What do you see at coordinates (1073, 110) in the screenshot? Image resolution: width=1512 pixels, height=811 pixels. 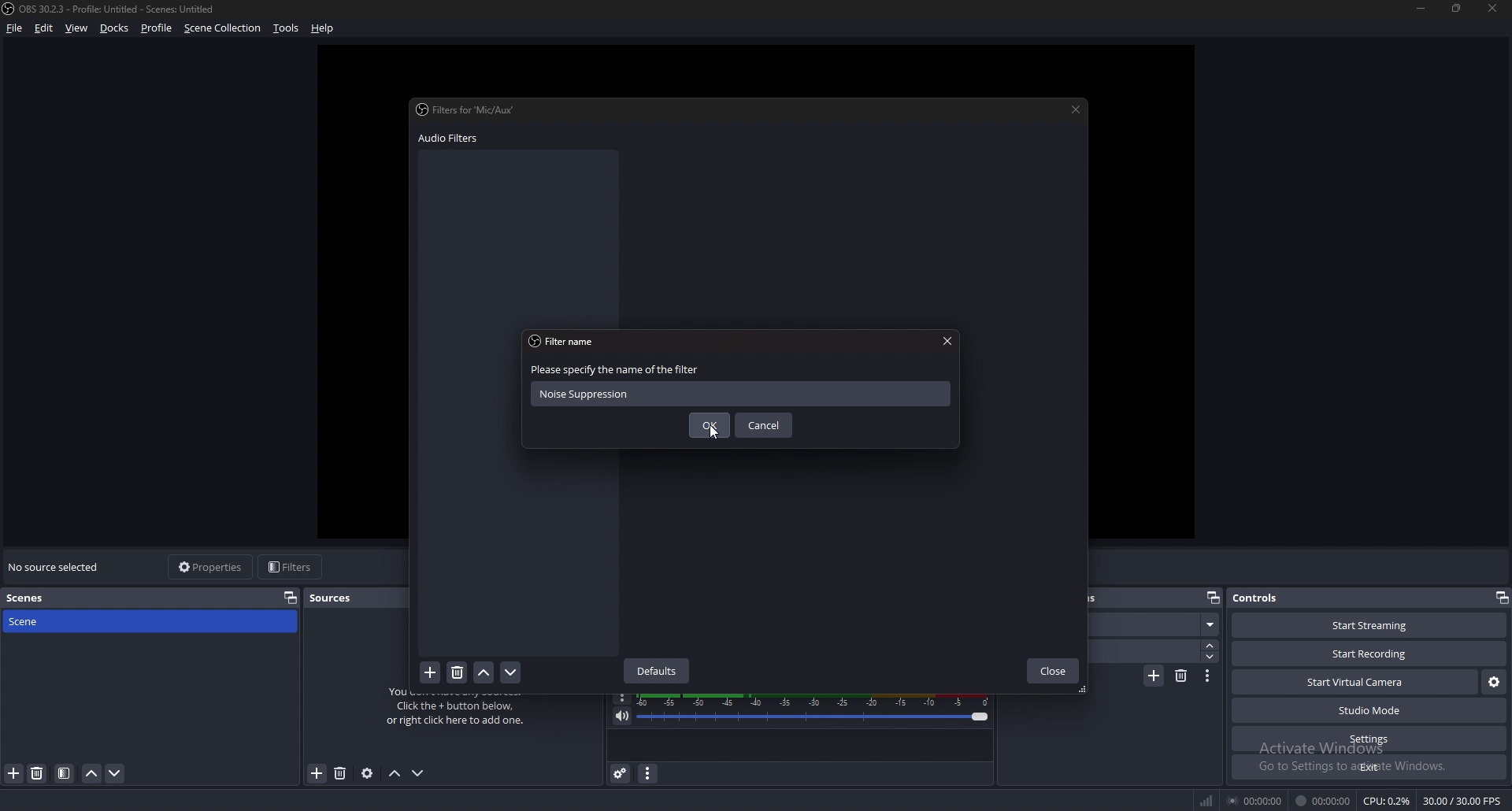 I see `close` at bounding box center [1073, 110].